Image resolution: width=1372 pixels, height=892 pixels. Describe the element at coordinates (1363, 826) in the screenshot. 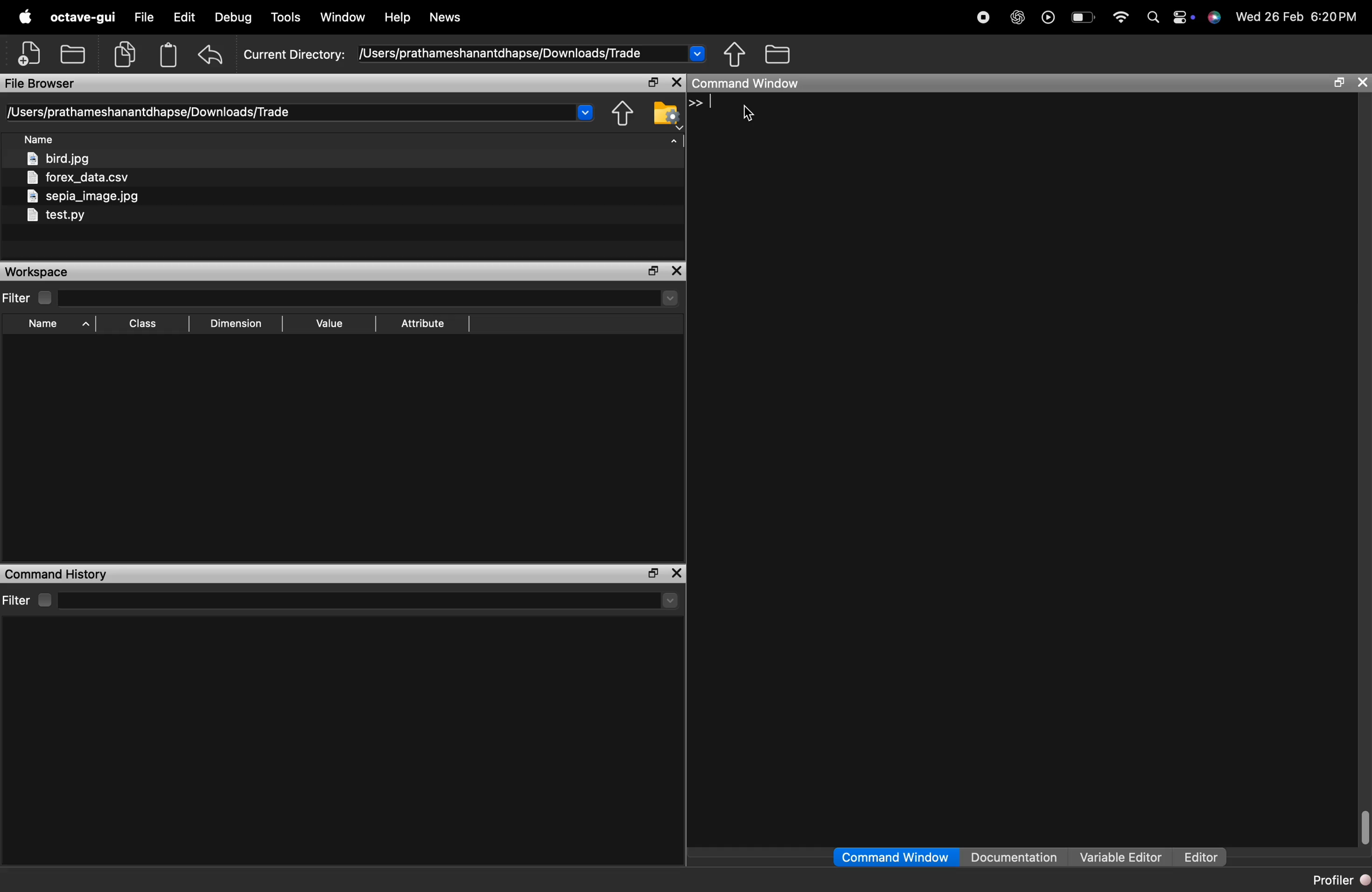

I see `scroll bar` at that location.